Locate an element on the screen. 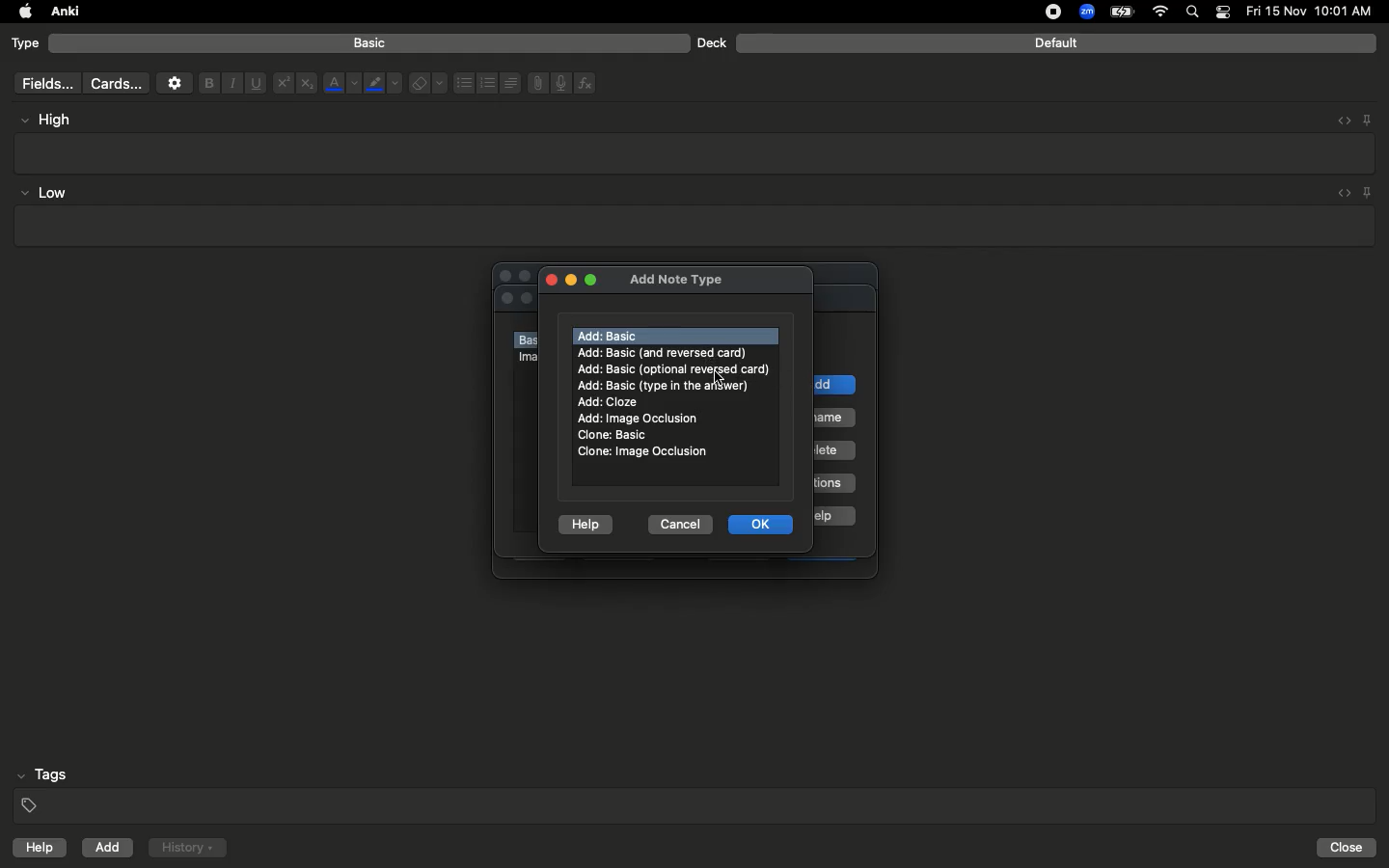  Search is located at coordinates (1195, 13).